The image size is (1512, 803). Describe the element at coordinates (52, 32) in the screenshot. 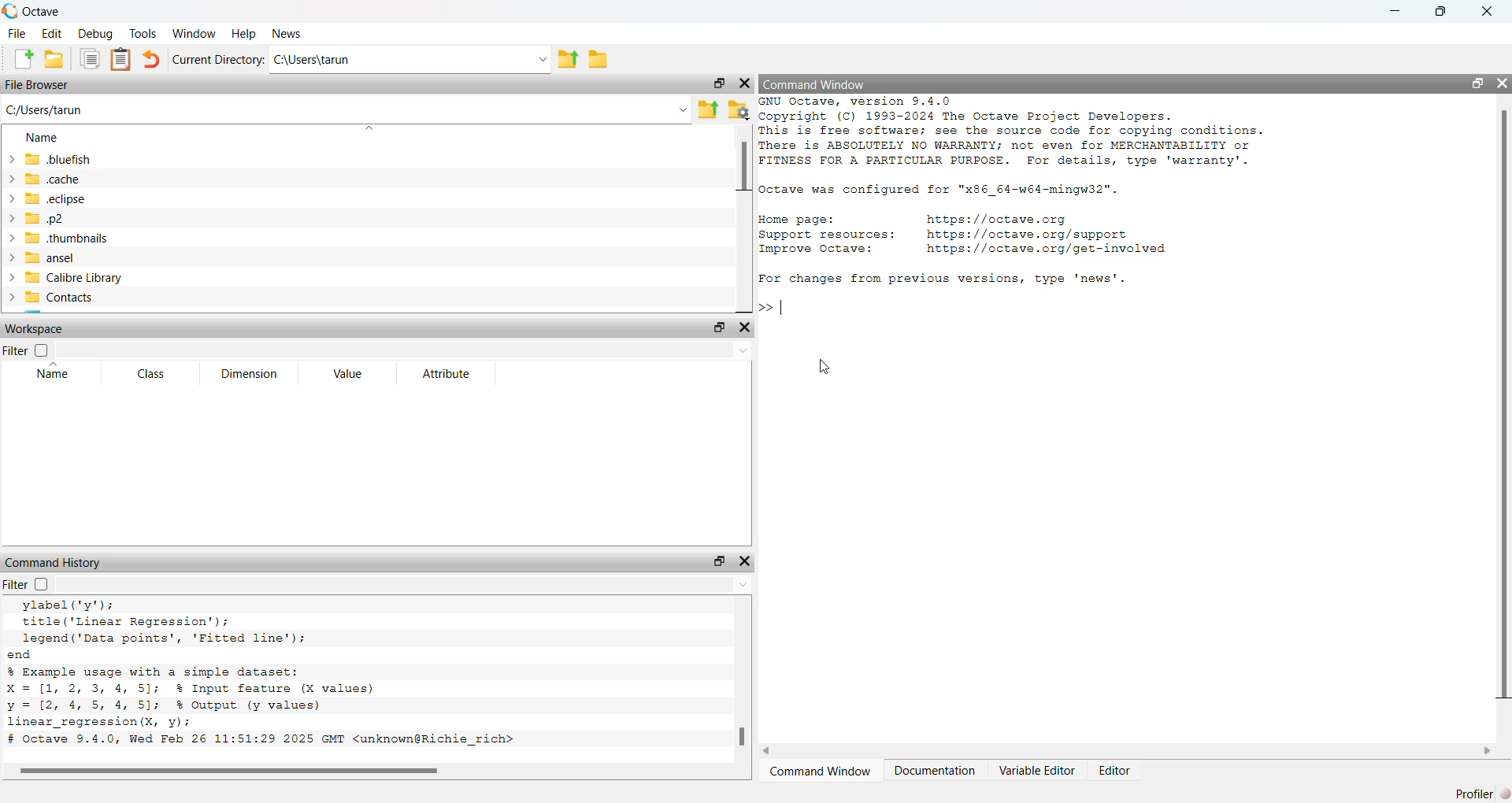

I see `edit` at that location.